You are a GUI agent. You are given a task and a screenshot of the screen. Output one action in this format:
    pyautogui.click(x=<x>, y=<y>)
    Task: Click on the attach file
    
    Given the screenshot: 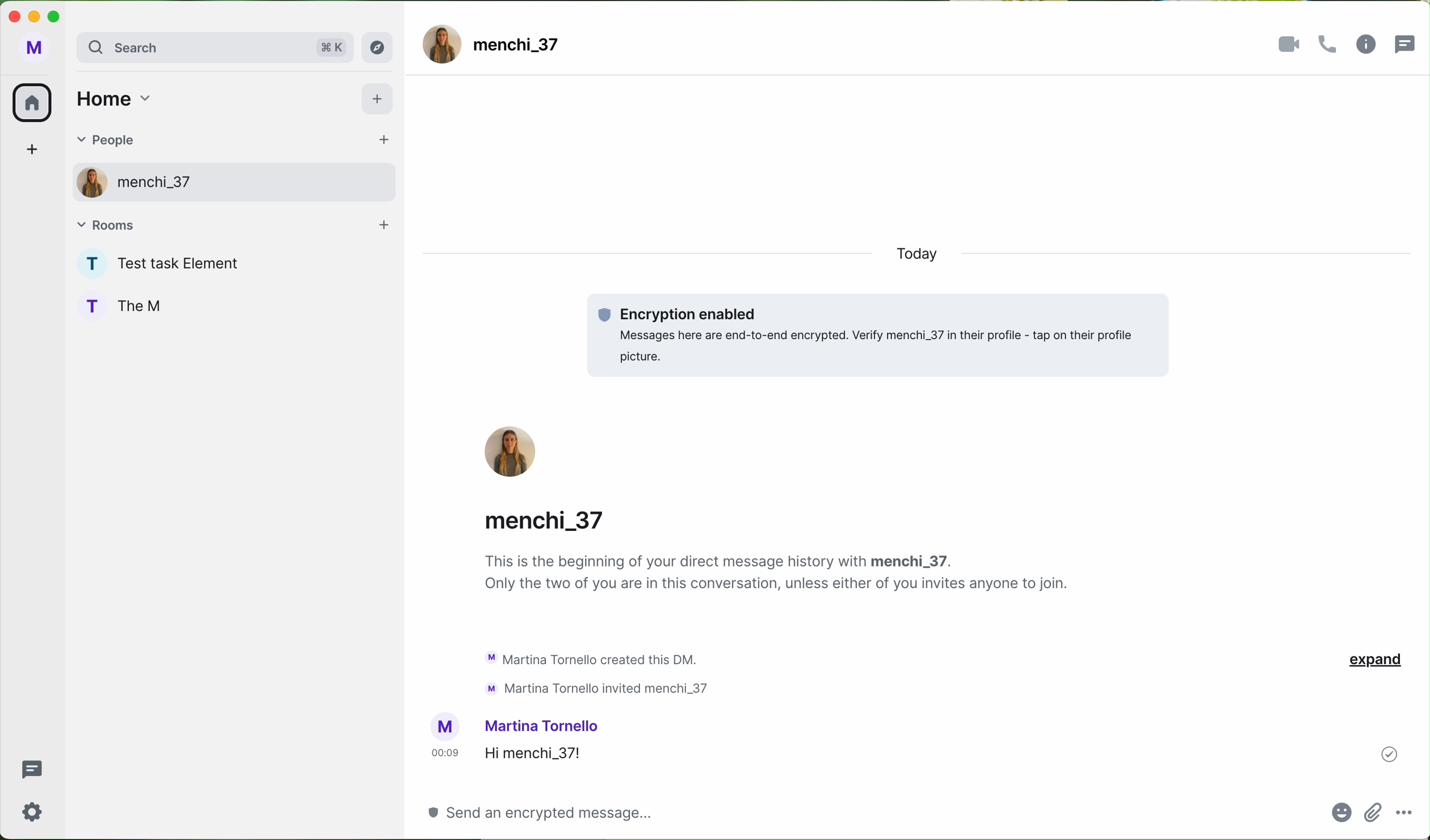 What is the action you would take?
    pyautogui.click(x=1374, y=812)
    